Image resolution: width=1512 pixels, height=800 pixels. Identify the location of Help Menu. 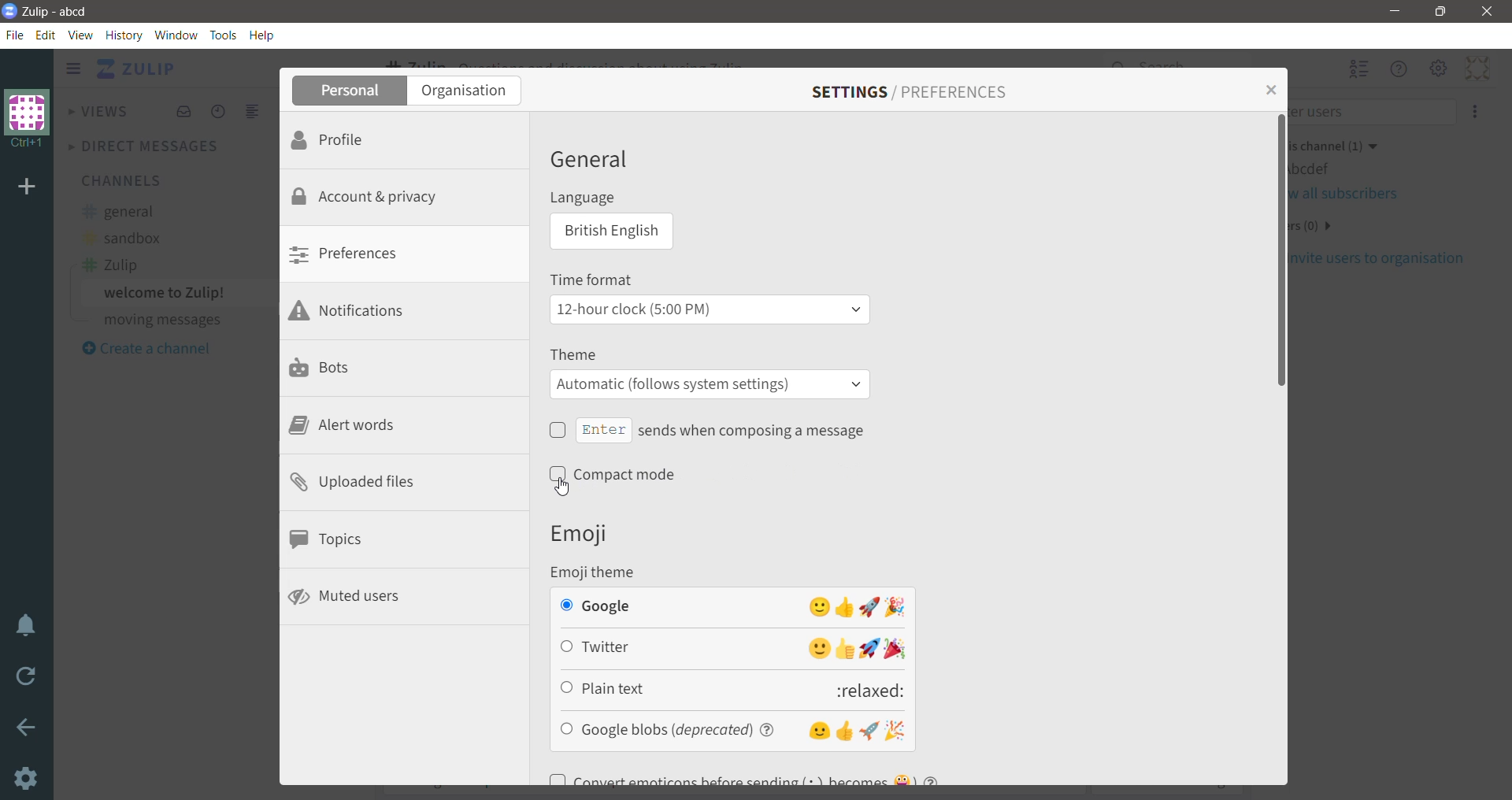
(1399, 69).